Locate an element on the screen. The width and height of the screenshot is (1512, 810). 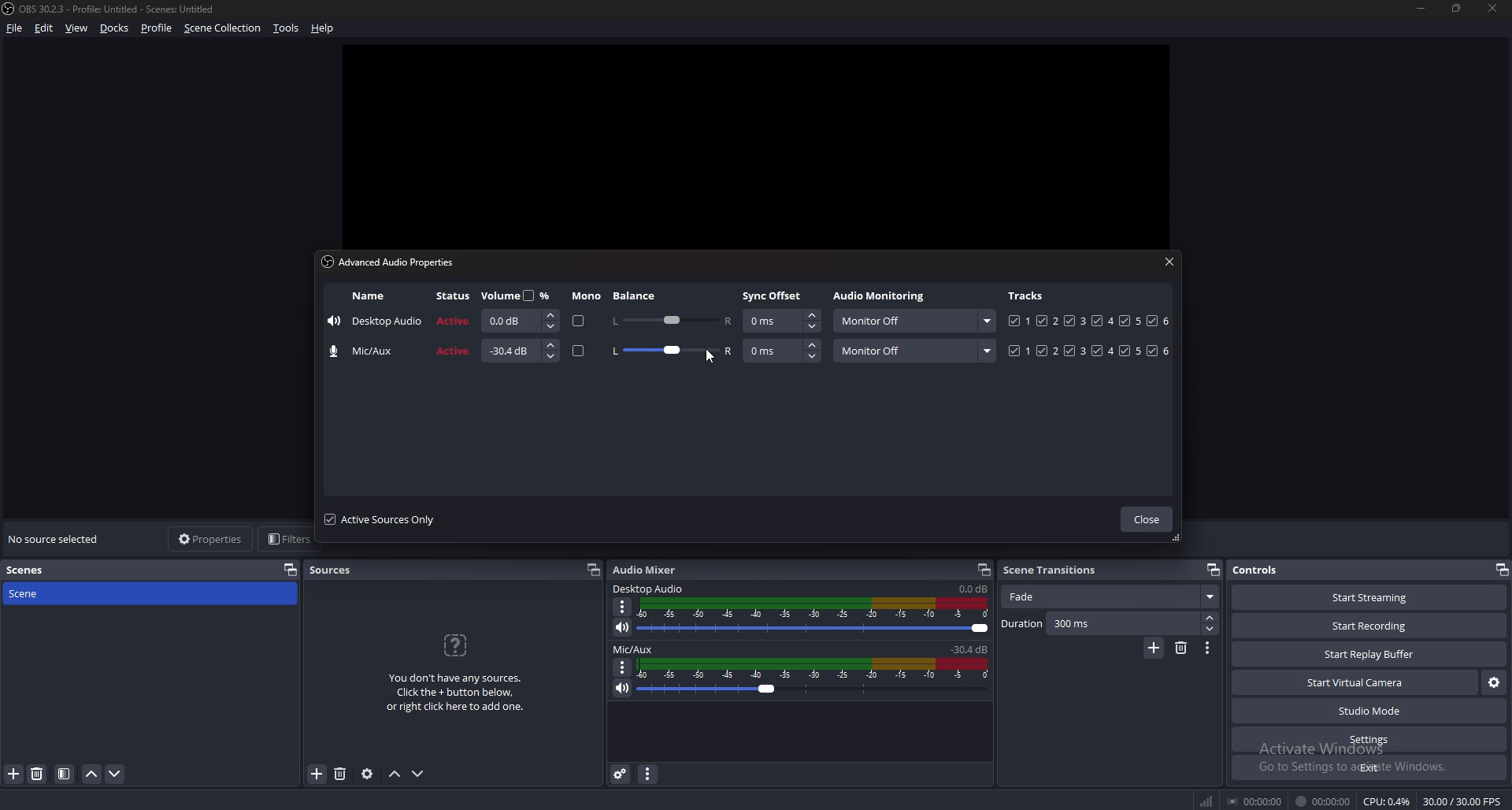
name is located at coordinates (368, 295).